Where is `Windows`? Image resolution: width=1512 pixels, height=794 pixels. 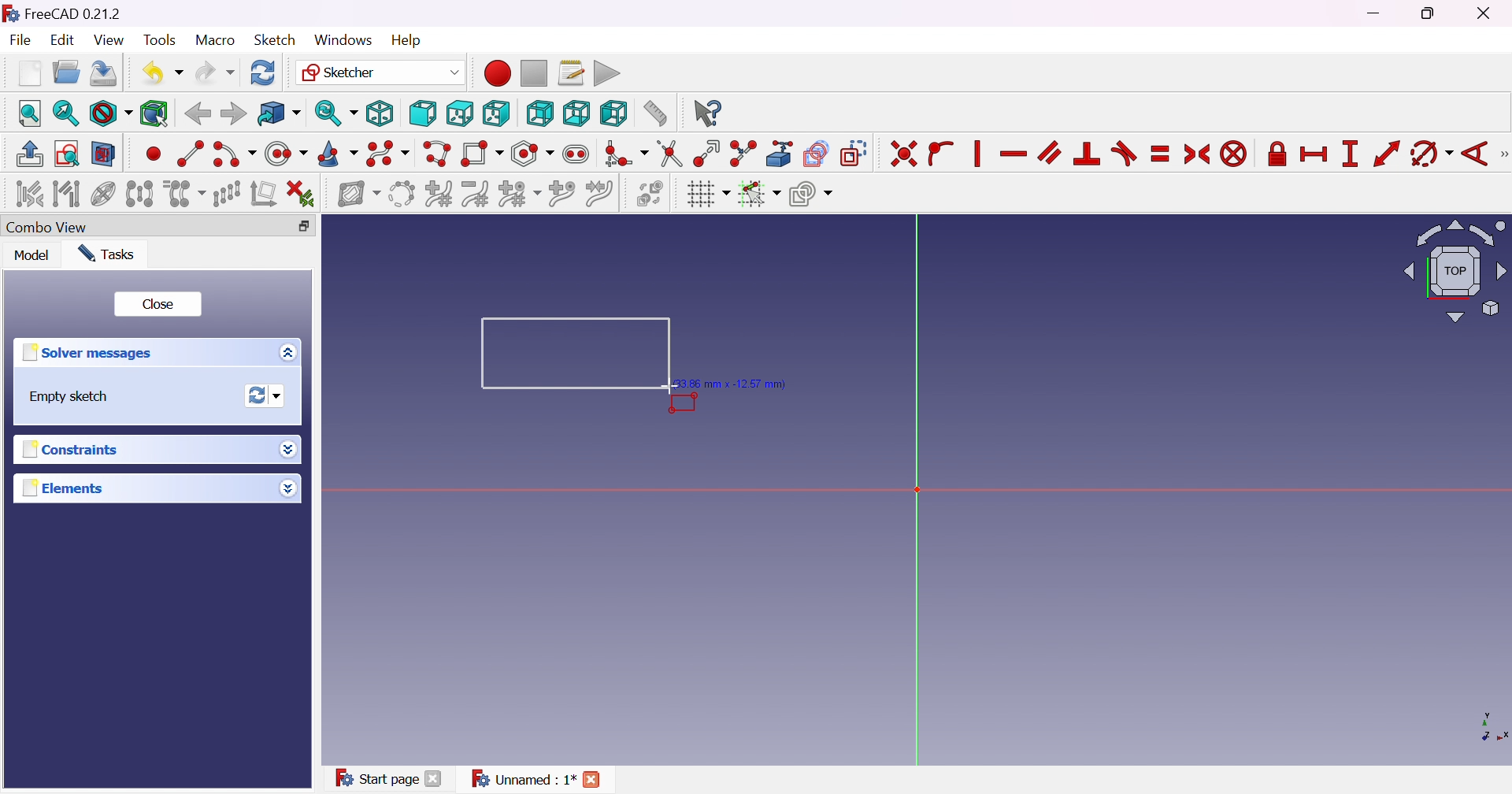 Windows is located at coordinates (343, 40).